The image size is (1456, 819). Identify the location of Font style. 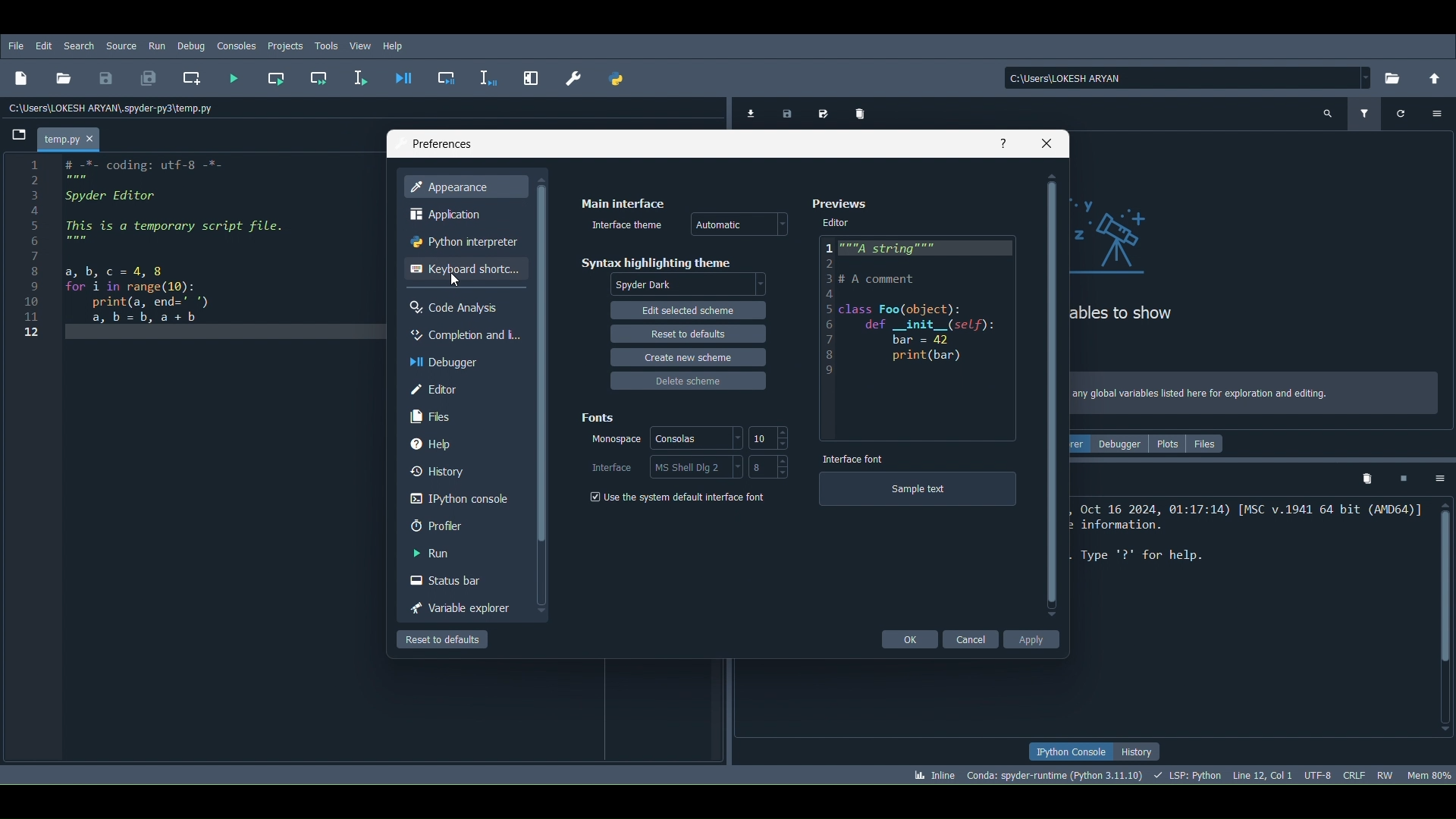
(696, 438).